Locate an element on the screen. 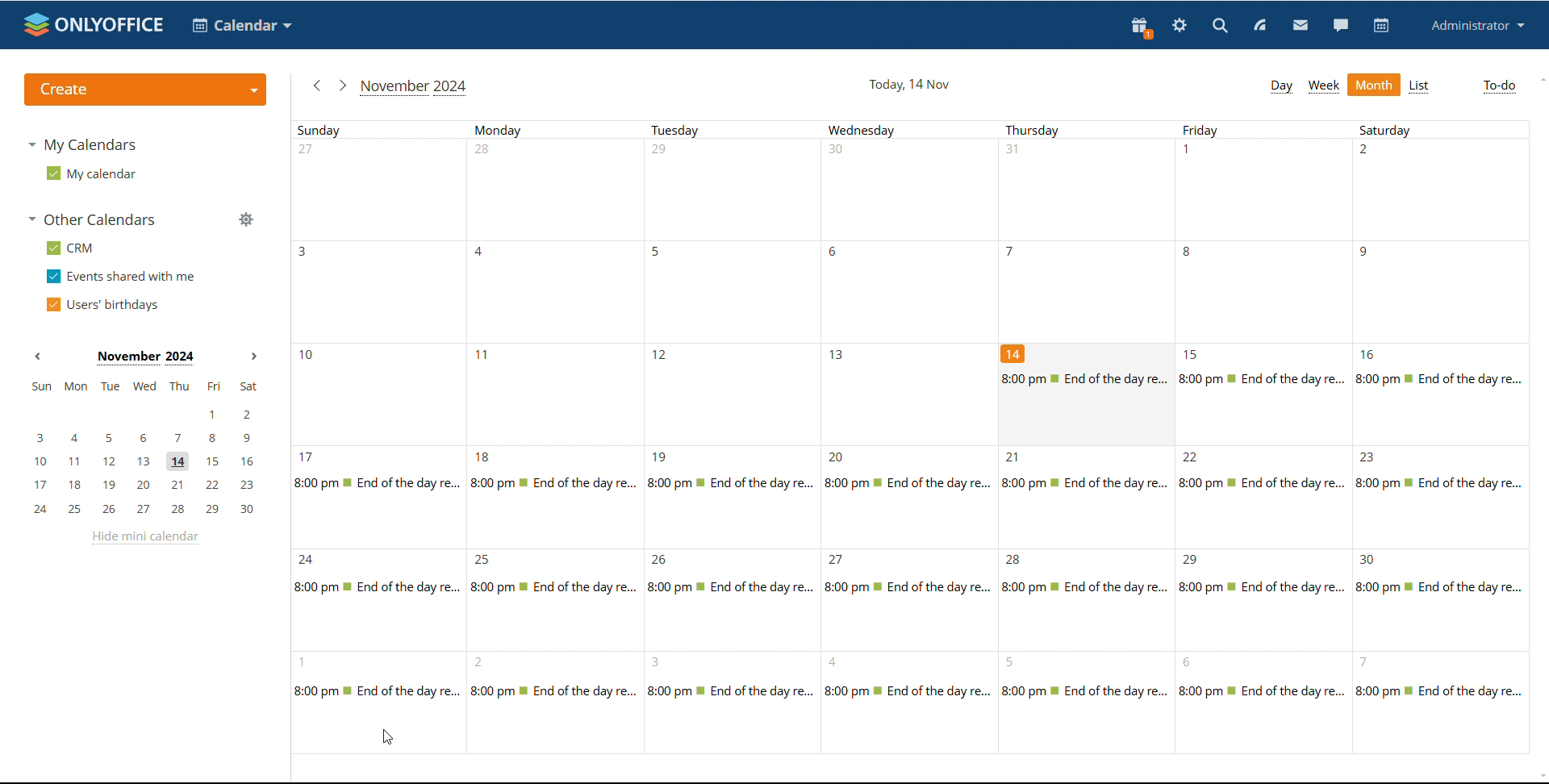 Image resolution: width=1549 pixels, height=784 pixels. 14 is located at coordinates (1018, 353).